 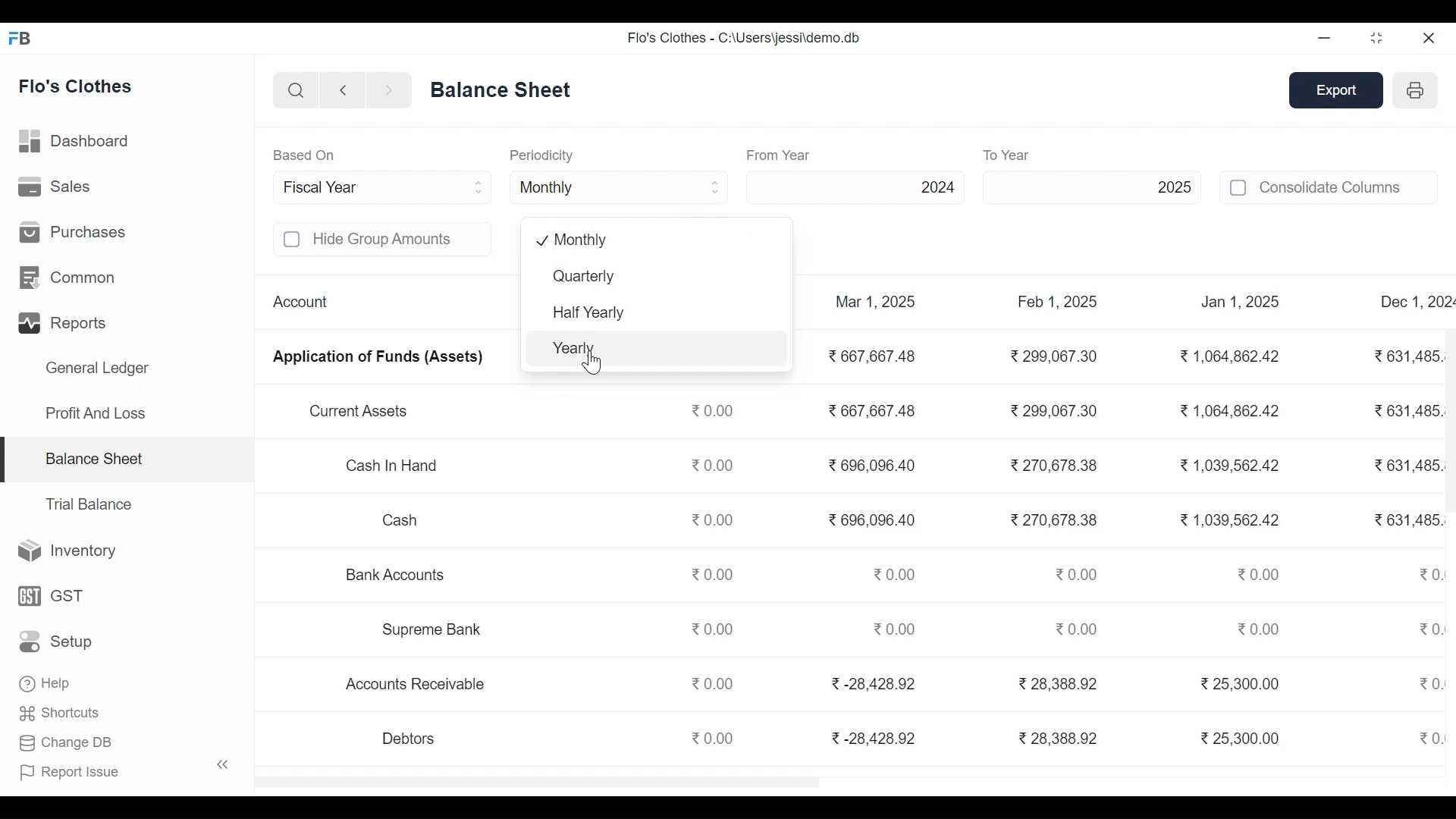 What do you see at coordinates (52, 595) in the screenshot?
I see `gst` at bounding box center [52, 595].